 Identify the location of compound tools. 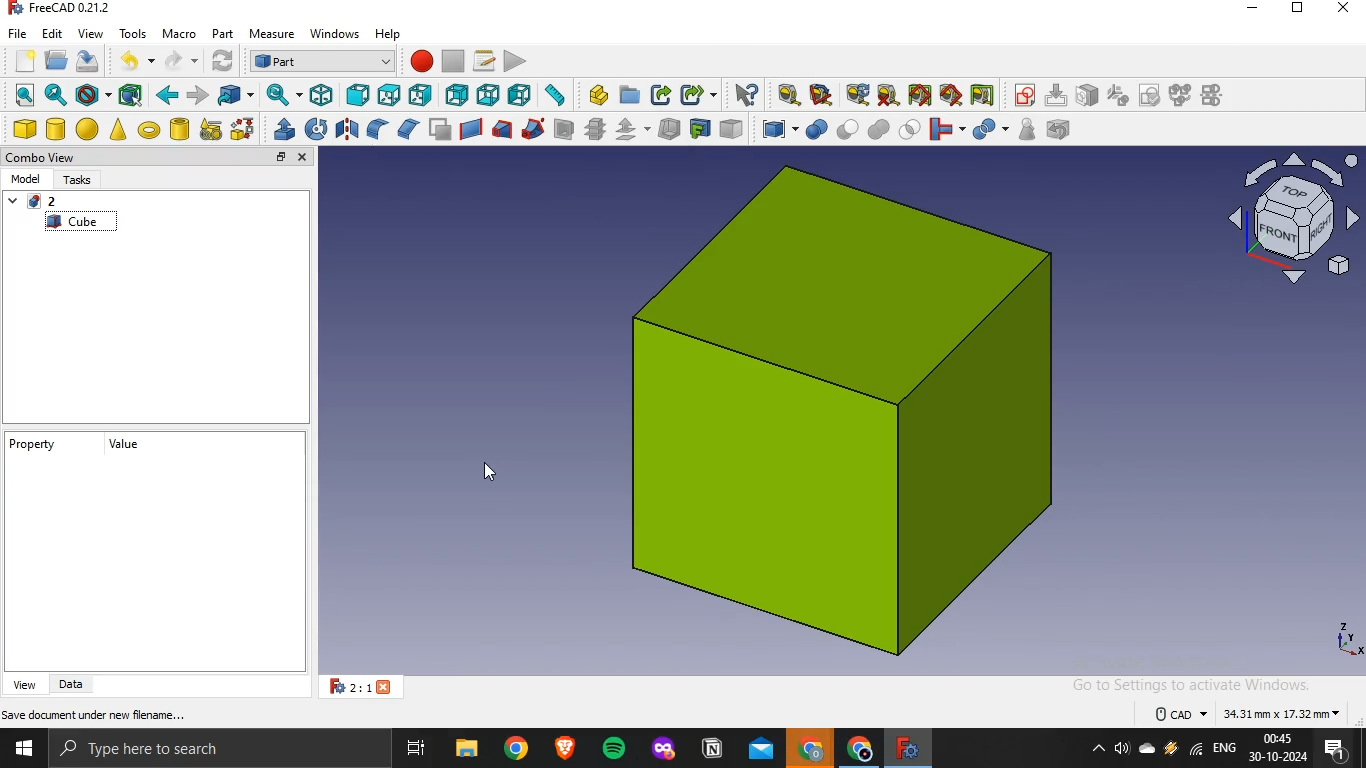
(777, 128).